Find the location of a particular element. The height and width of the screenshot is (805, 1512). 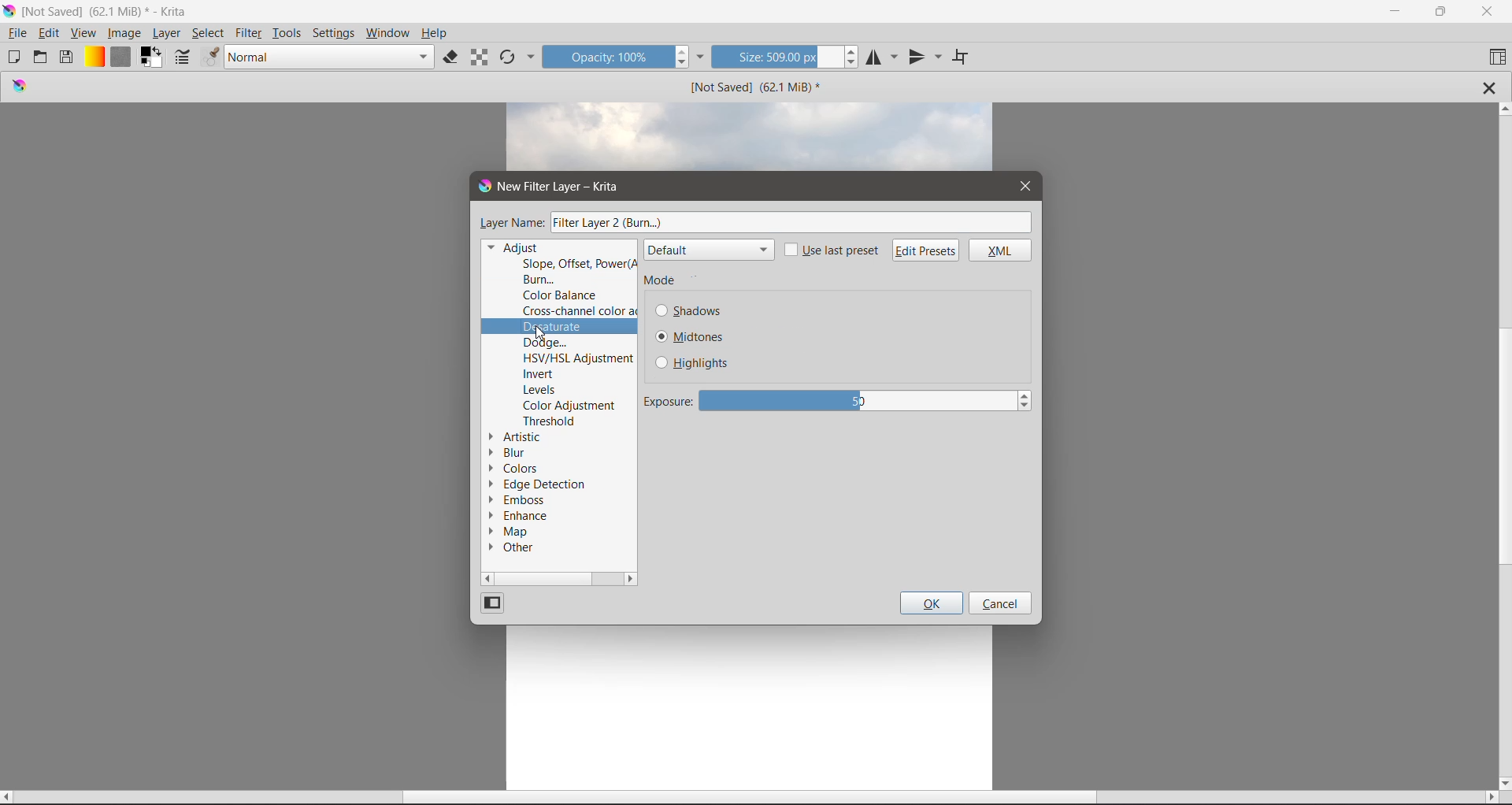

Reload Original Preset is located at coordinates (509, 57).